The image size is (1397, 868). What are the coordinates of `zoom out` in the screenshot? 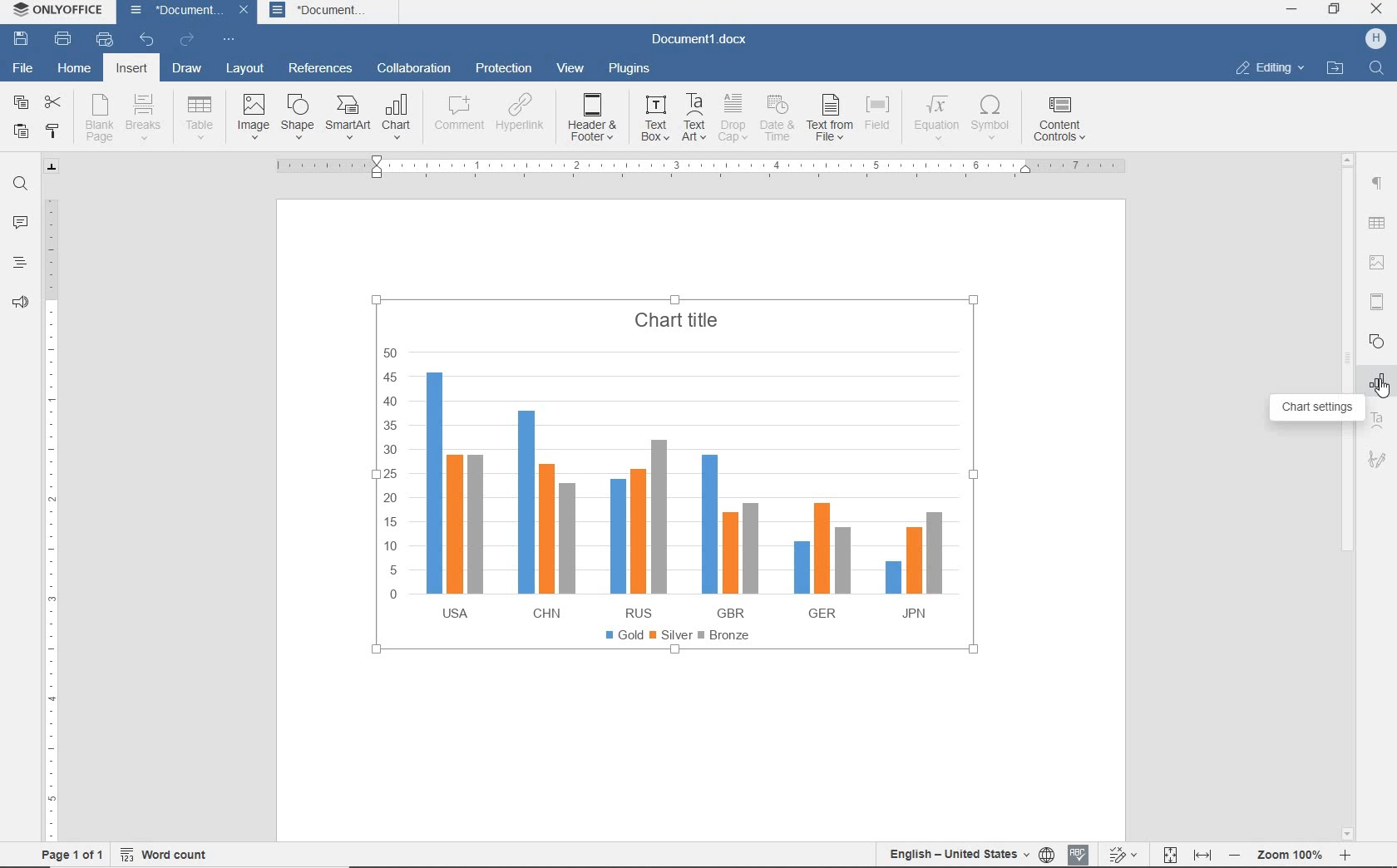 It's located at (1237, 855).